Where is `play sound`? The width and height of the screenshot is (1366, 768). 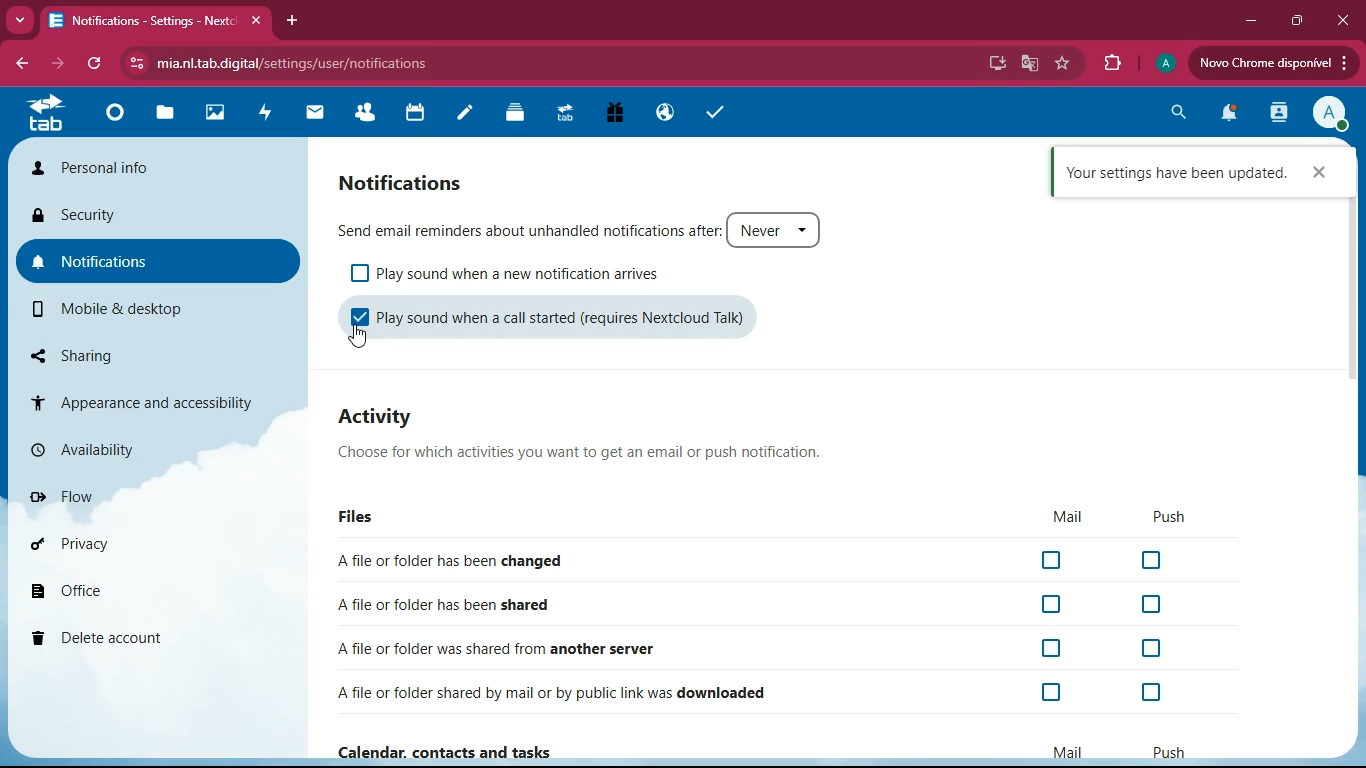 play sound is located at coordinates (575, 319).